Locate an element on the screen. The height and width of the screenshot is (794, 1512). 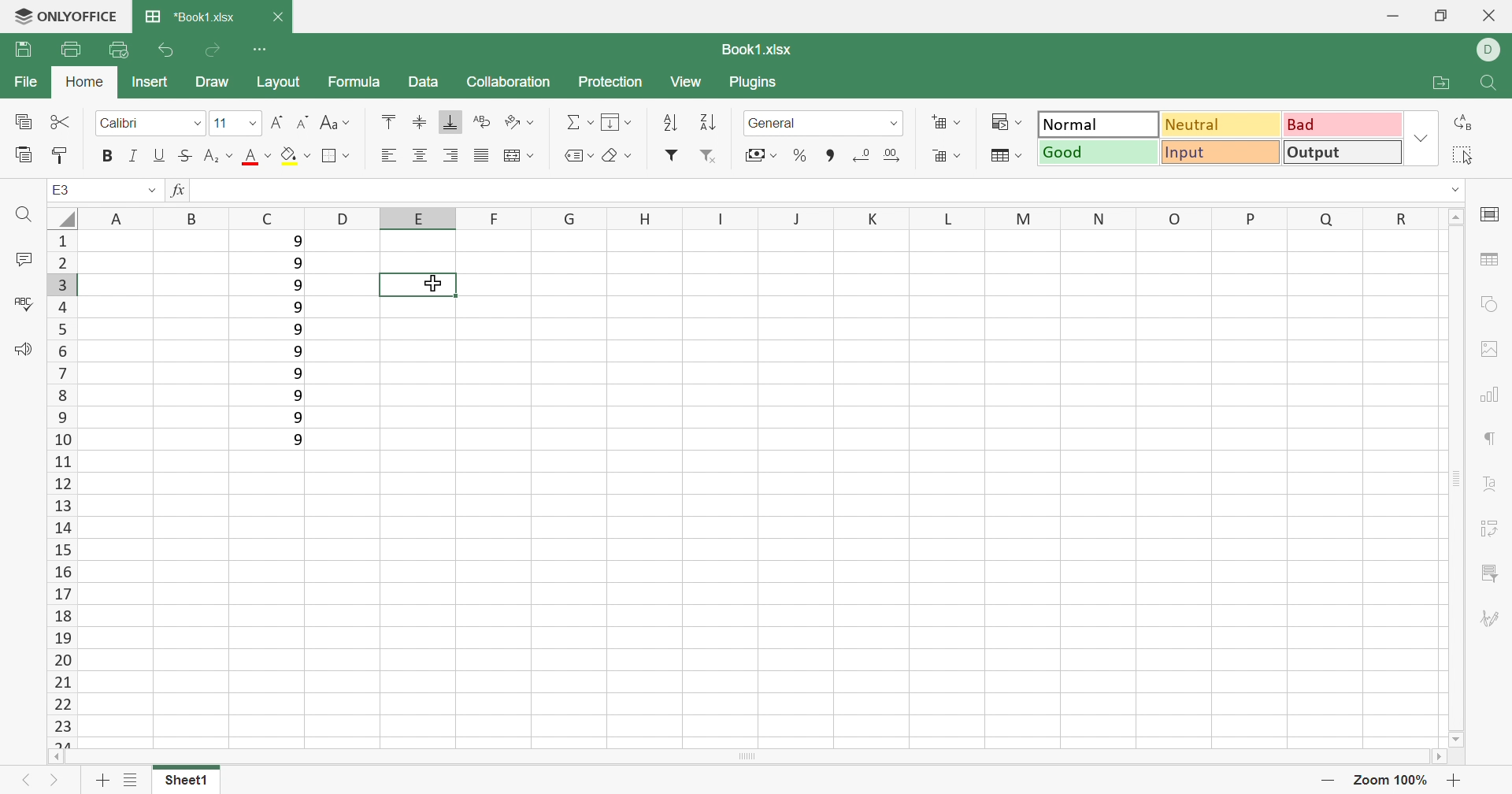
Superscript / Subscript is located at coordinates (216, 157).